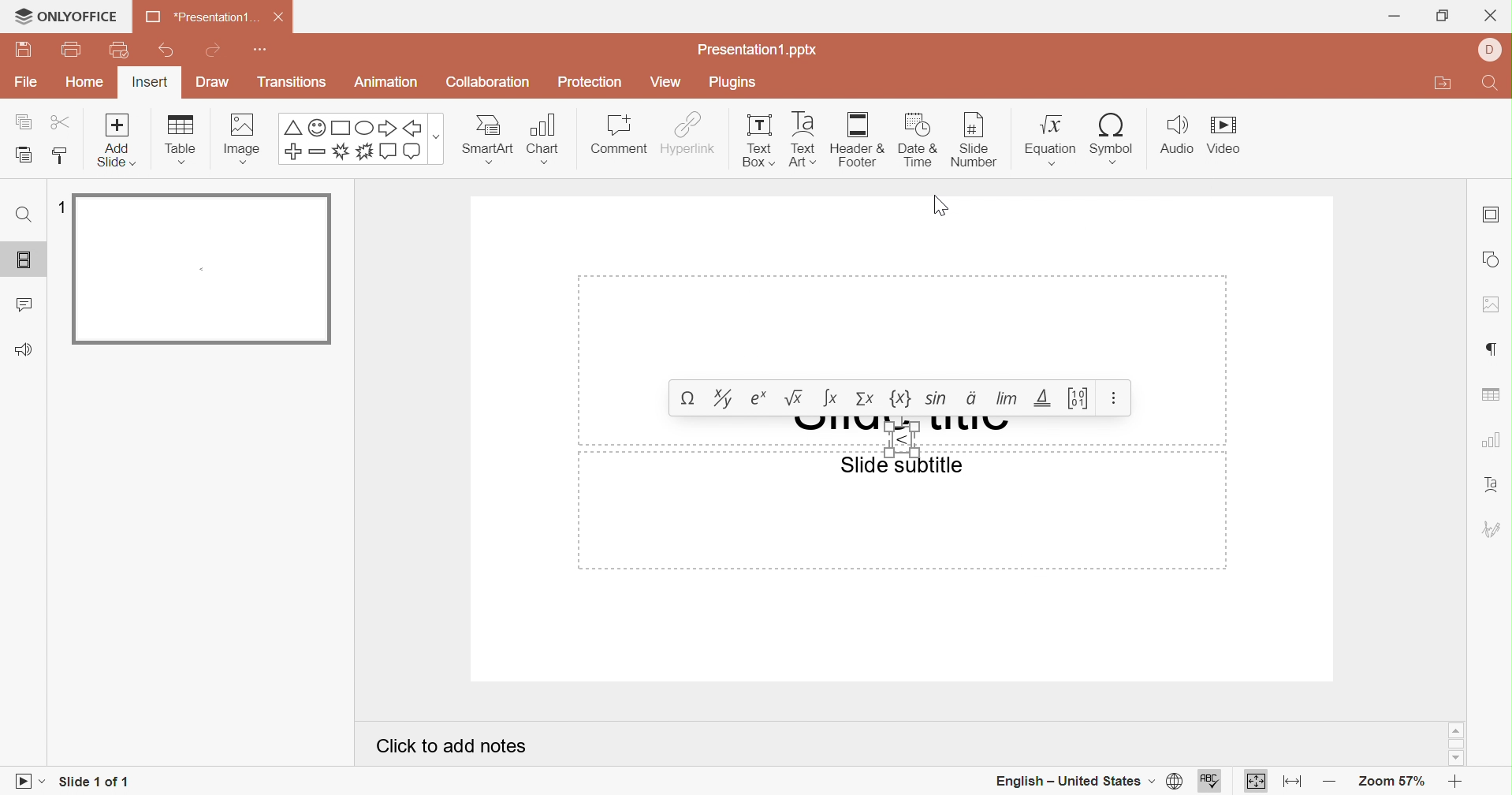 The width and height of the screenshot is (1512, 795). Describe the element at coordinates (352, 141) in the screenshot. I see `Symbols` at that location.